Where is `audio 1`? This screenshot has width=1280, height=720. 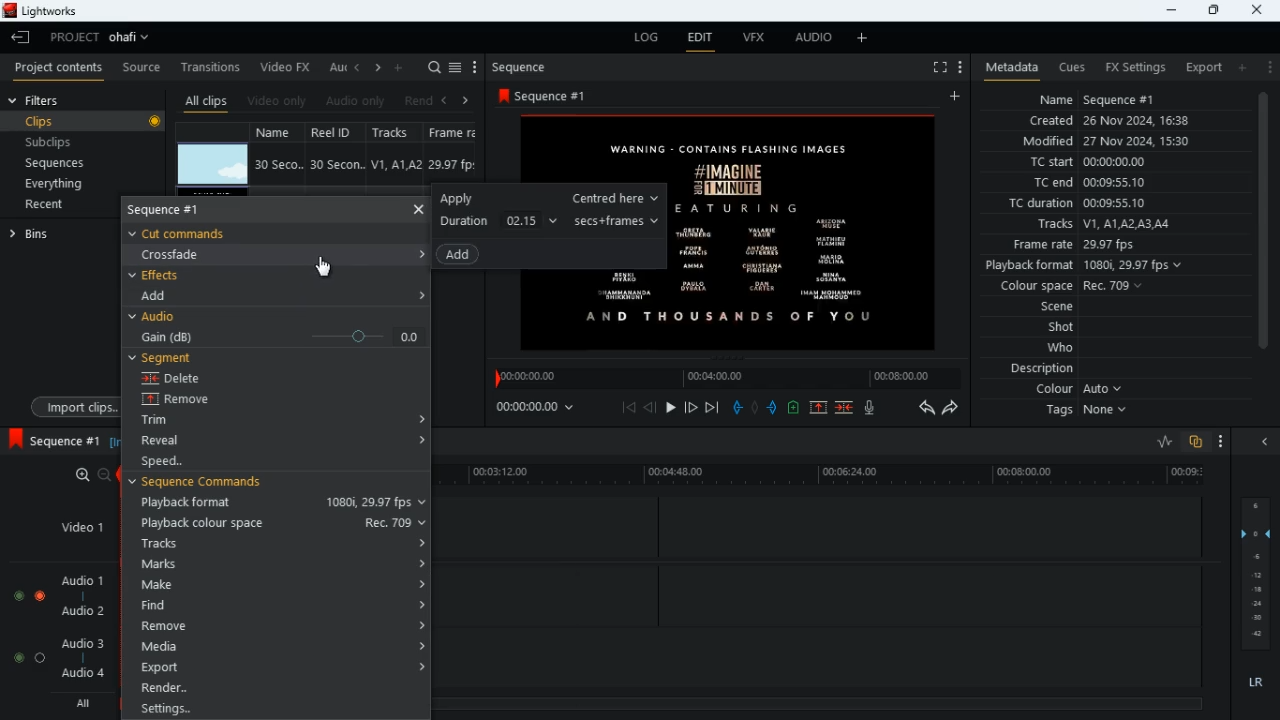 audio 1 is located at coordinates (78, 581).